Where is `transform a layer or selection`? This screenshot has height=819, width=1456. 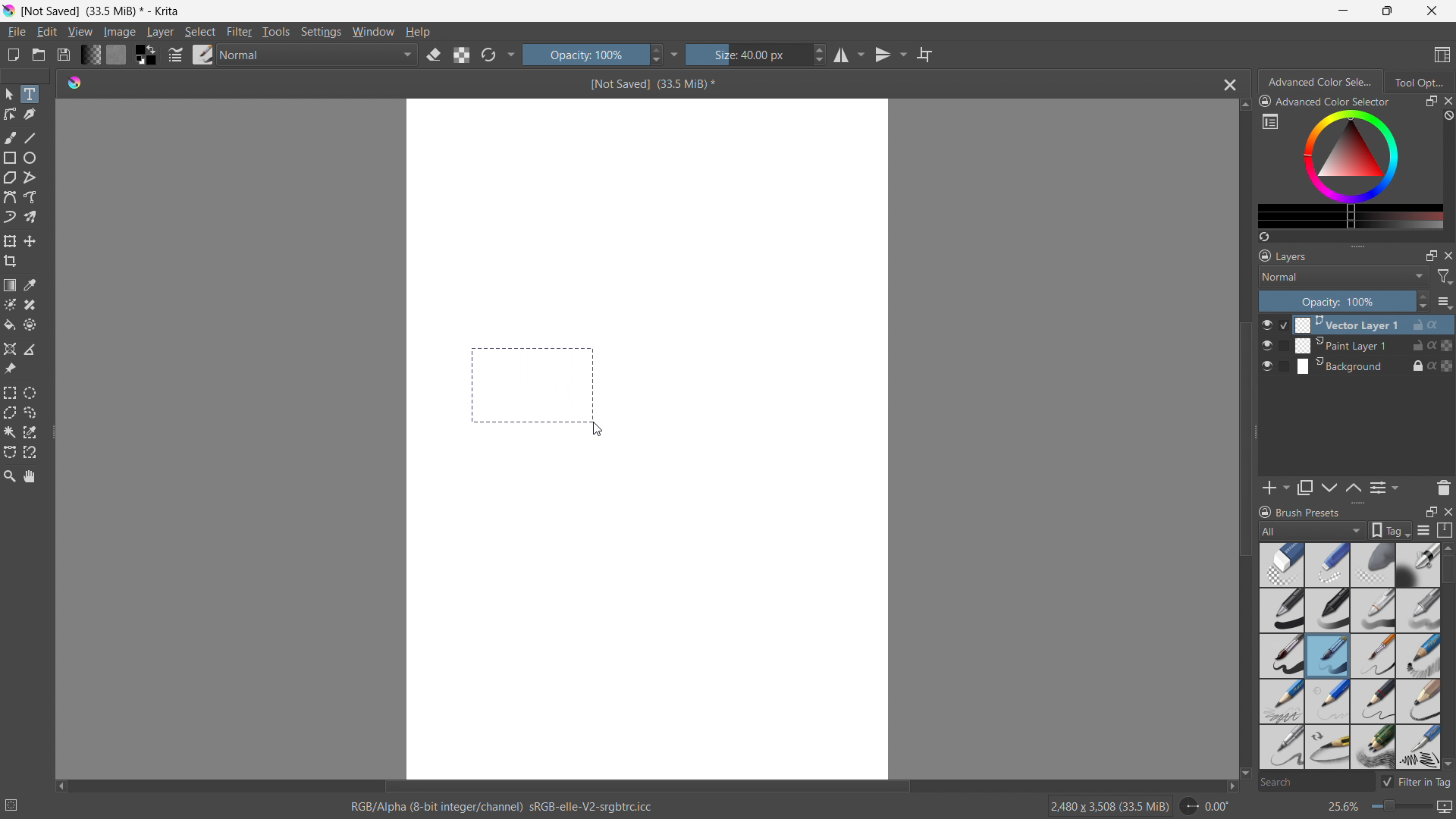 transform a layer or selection is located at coordinates (10, 241).